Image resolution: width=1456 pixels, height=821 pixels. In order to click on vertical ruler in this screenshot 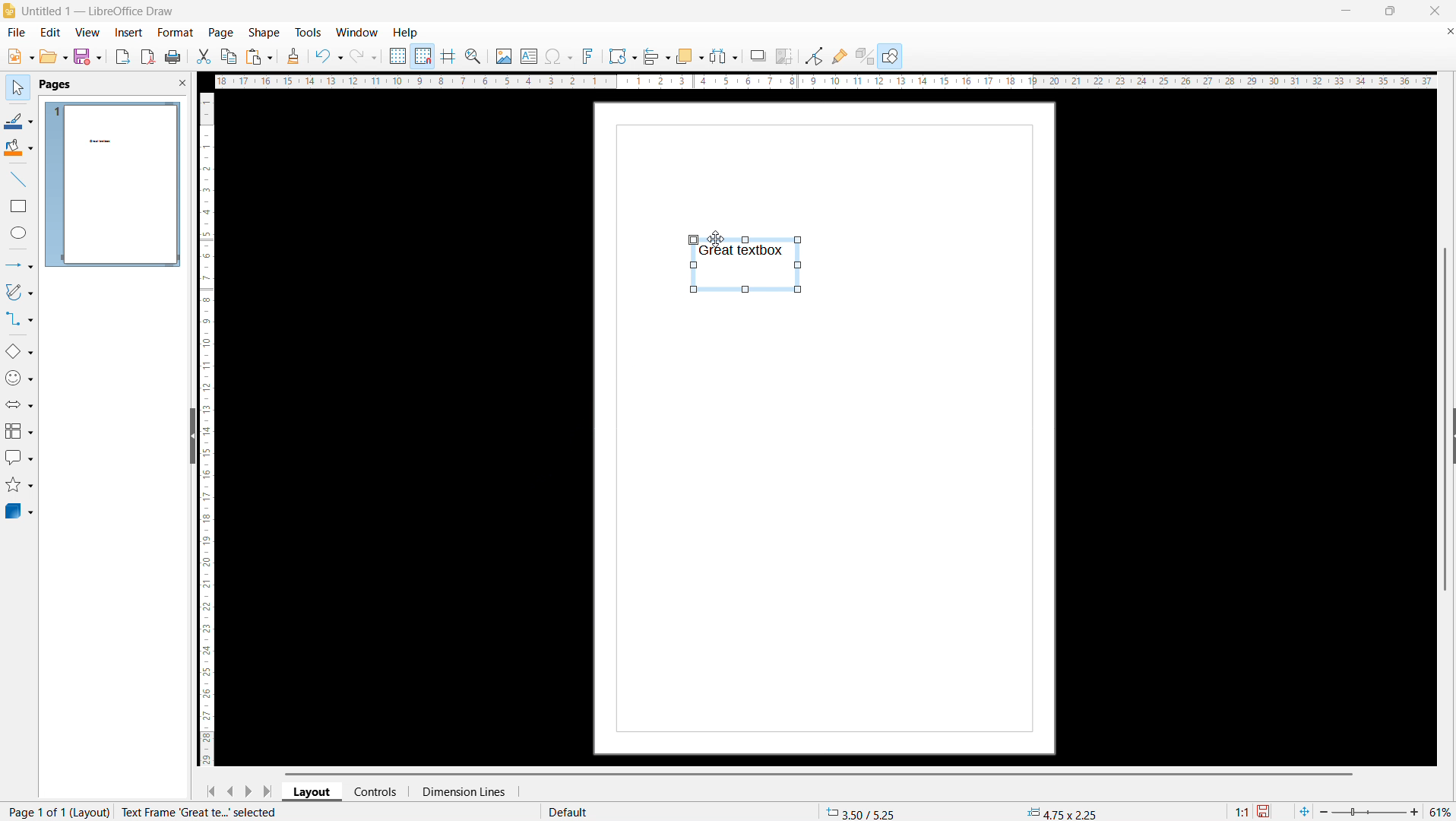, I will do `click(207, 428)`.